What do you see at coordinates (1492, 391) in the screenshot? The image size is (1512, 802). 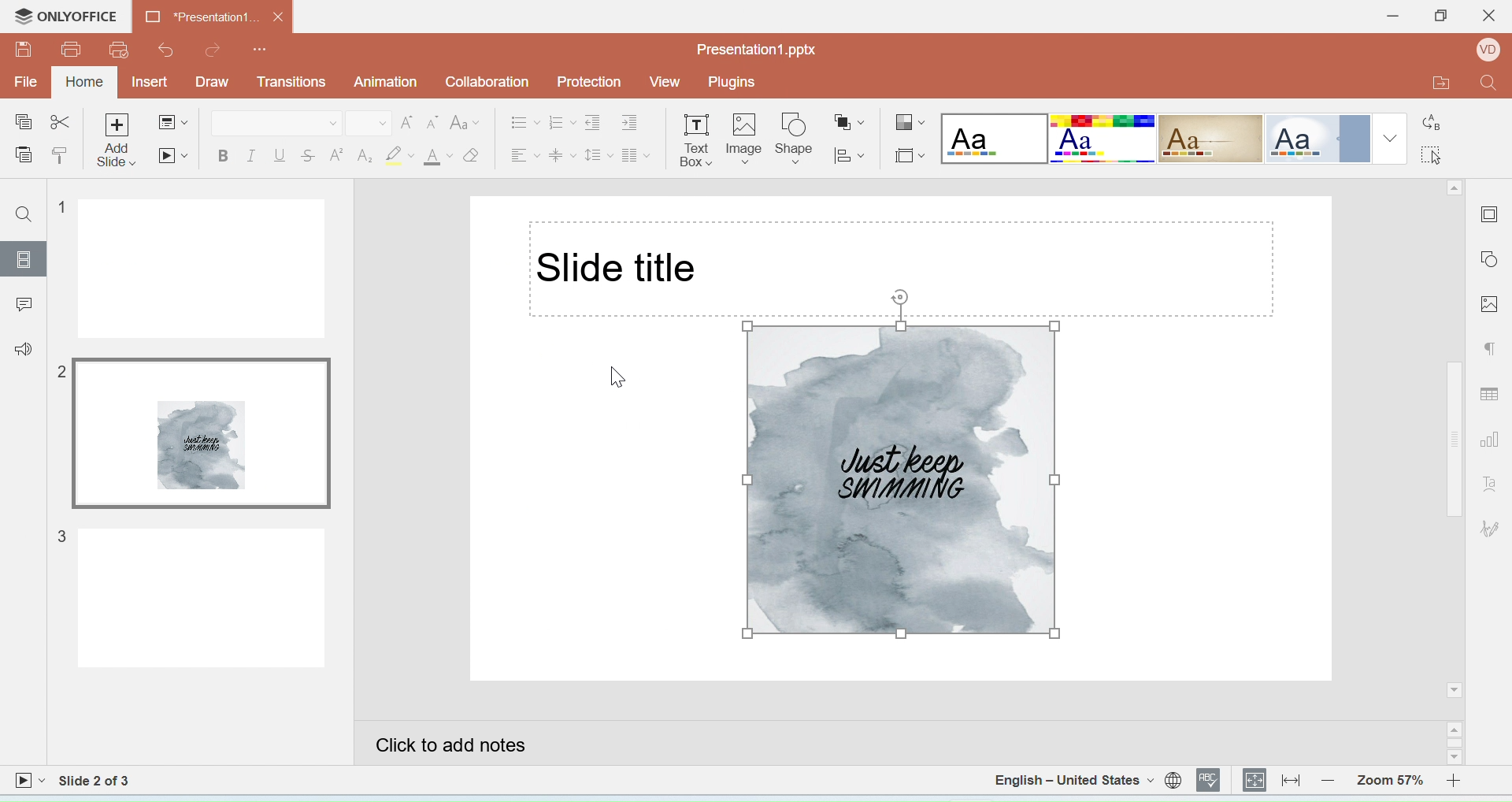 I see `Table settings` at bounding box center [1492, 391].